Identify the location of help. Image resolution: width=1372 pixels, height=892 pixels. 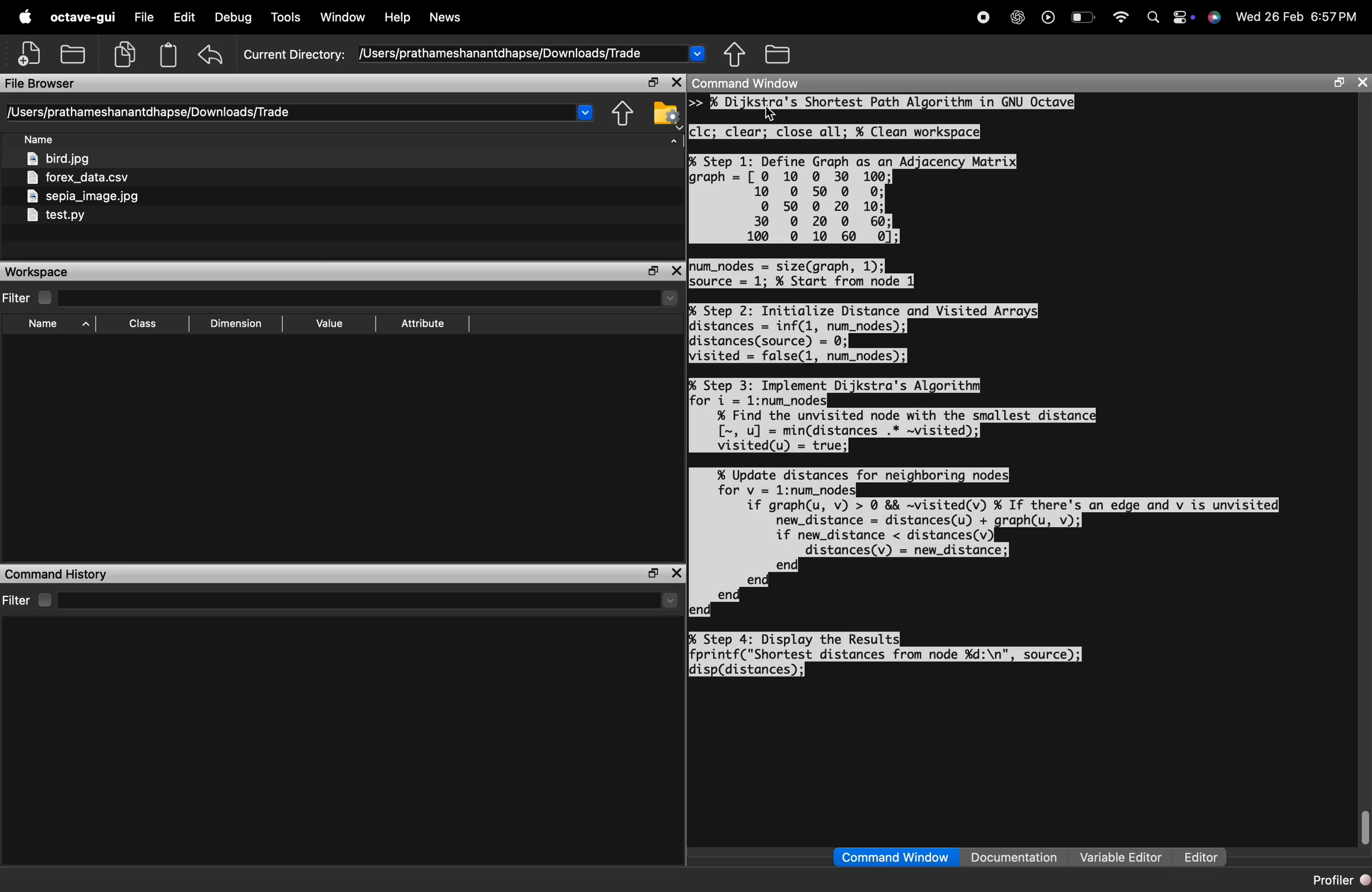
(399, 18).